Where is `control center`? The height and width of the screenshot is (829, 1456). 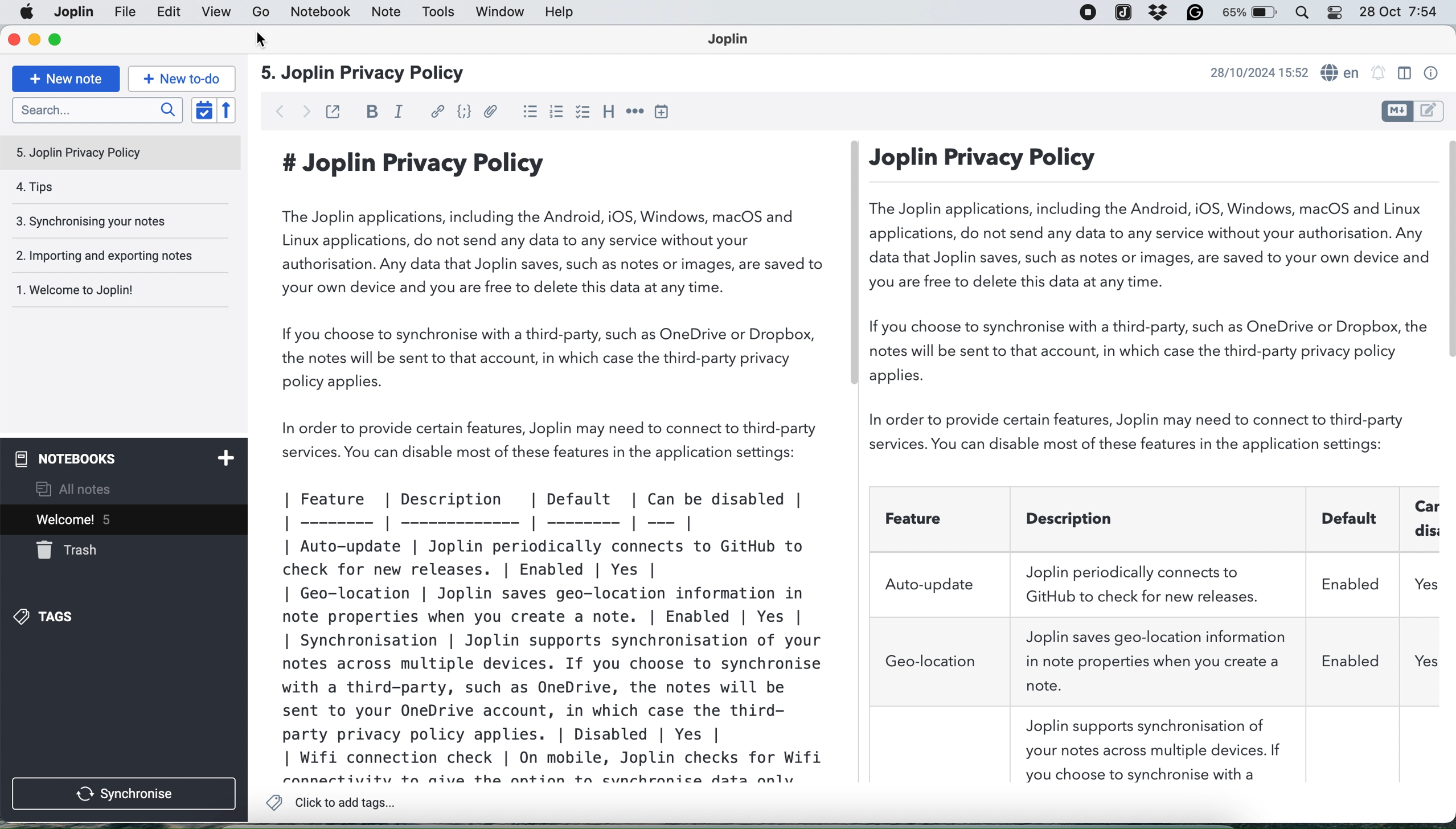
control center is located at coordinates (1307, 13).